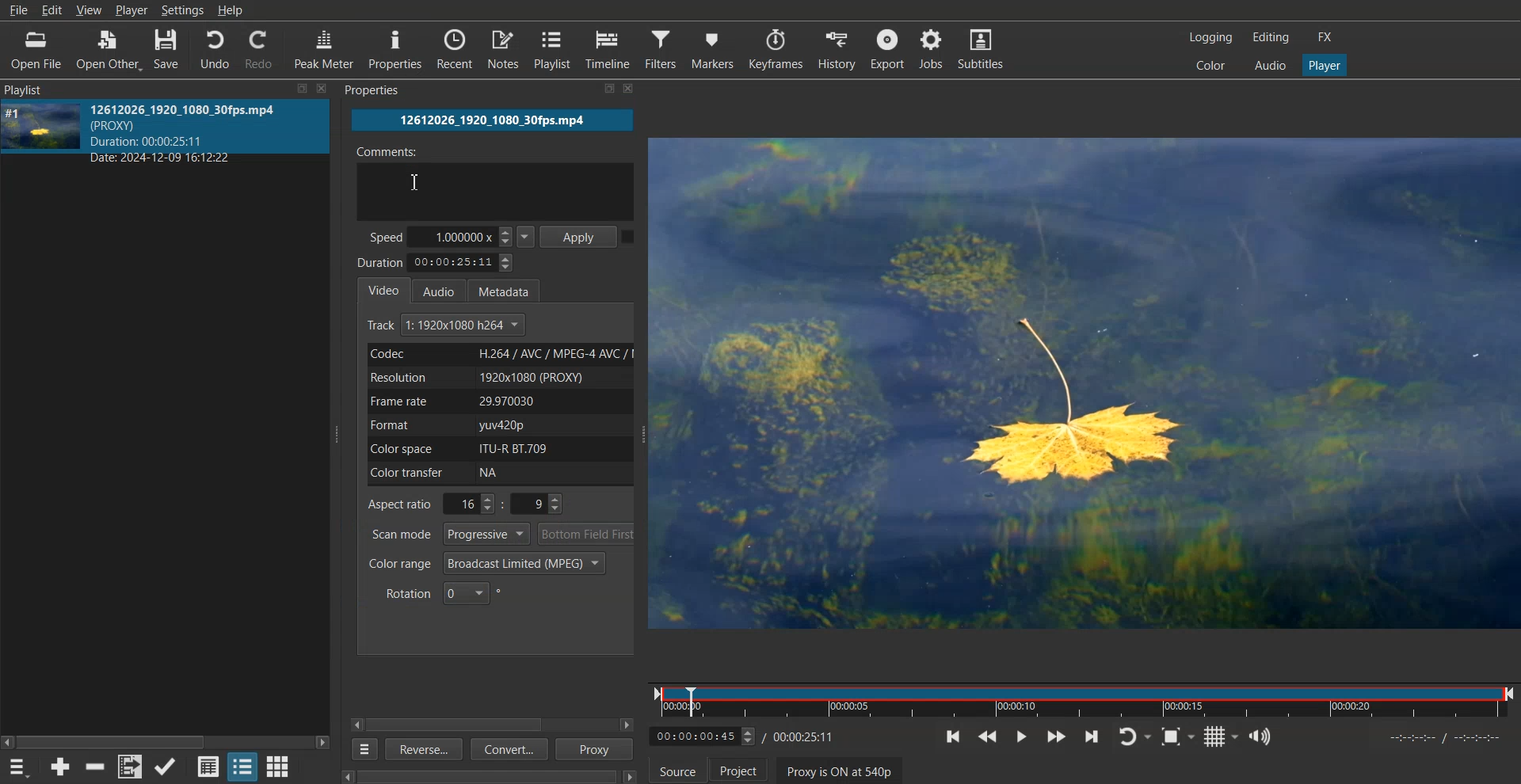 This screenshot has height=784, width=1521. Describe the element at coordinates (279, 766) in the screenshot. I see `View as Icon` at that location.